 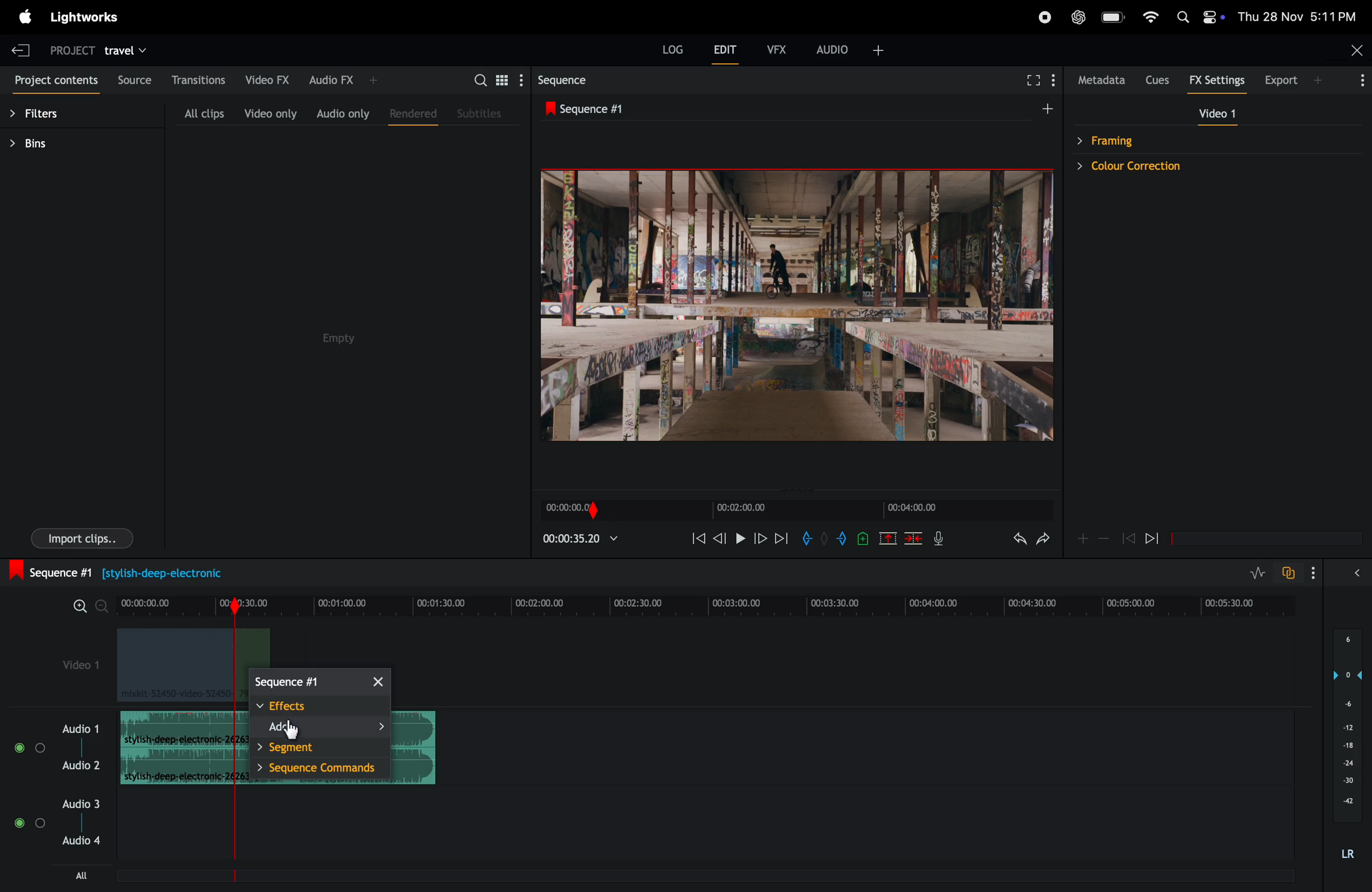 What do you see at coordinates (943, 540) in the screenshot?
I see `mic` at bounding box center [943, 540].